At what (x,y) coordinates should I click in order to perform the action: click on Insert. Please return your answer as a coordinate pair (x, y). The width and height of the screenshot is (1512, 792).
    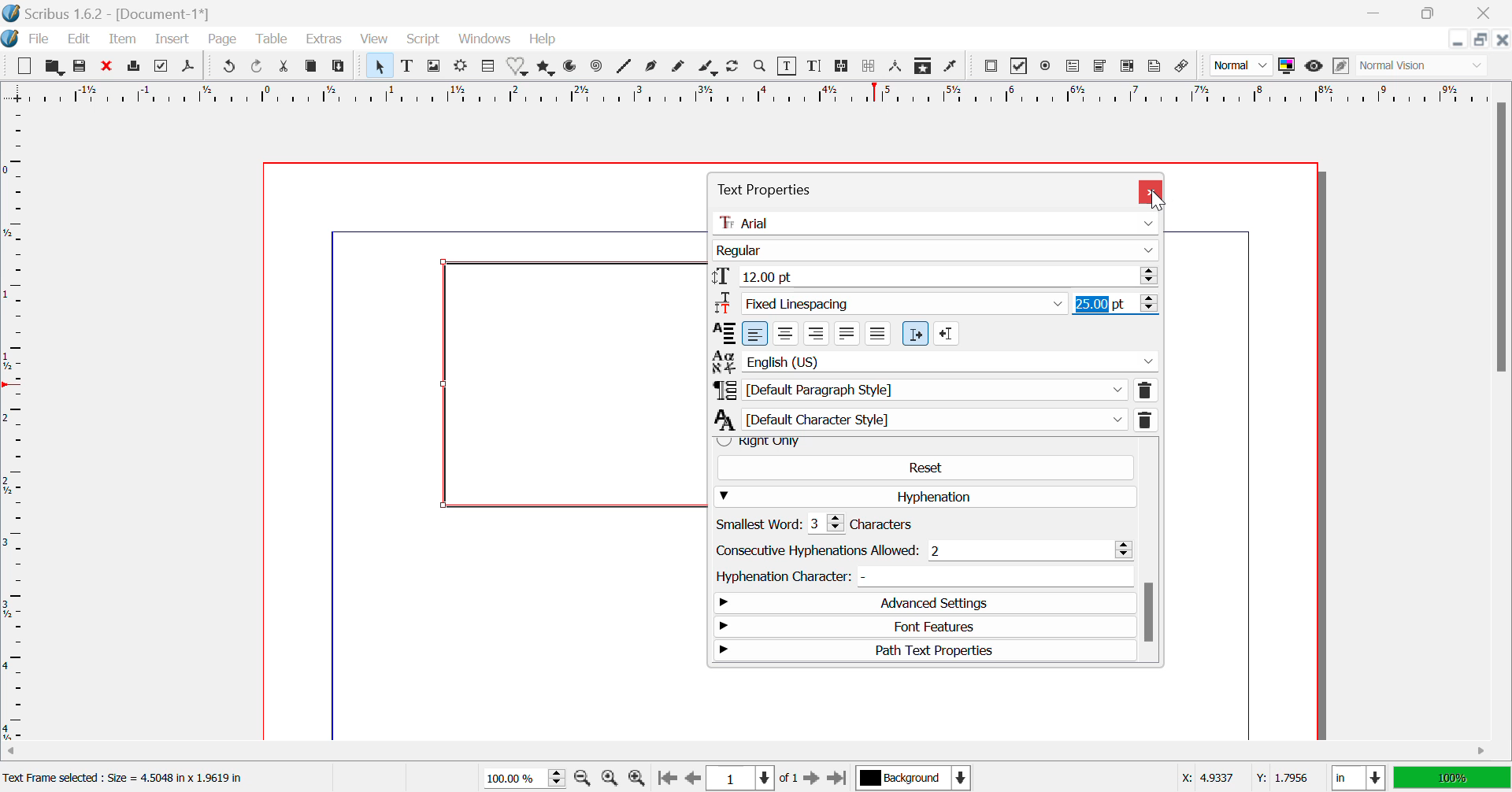
    Looking at the image, I should click on (174, 39).